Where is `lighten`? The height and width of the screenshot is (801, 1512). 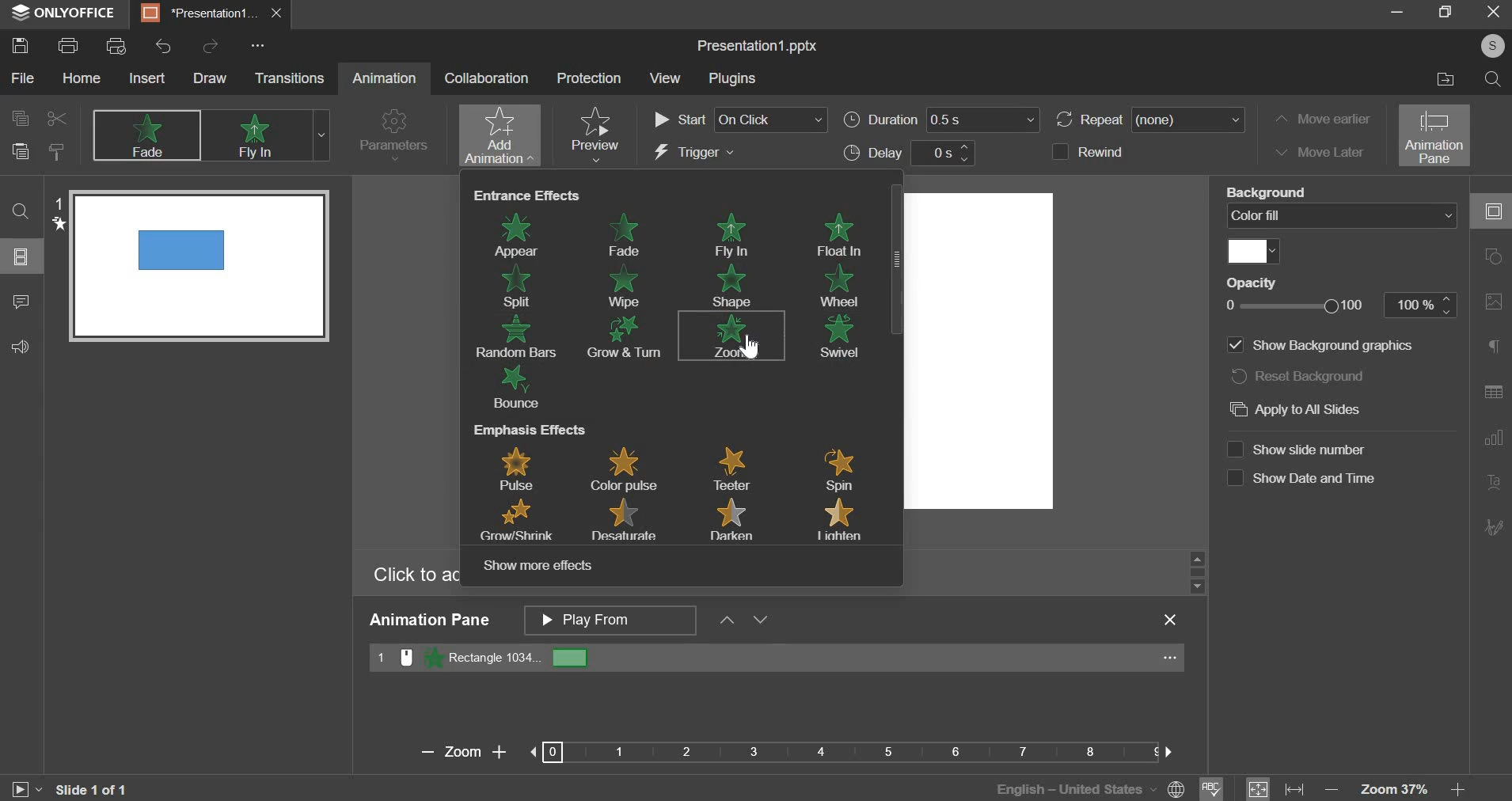
lighten is located at coordinates (835, 519).